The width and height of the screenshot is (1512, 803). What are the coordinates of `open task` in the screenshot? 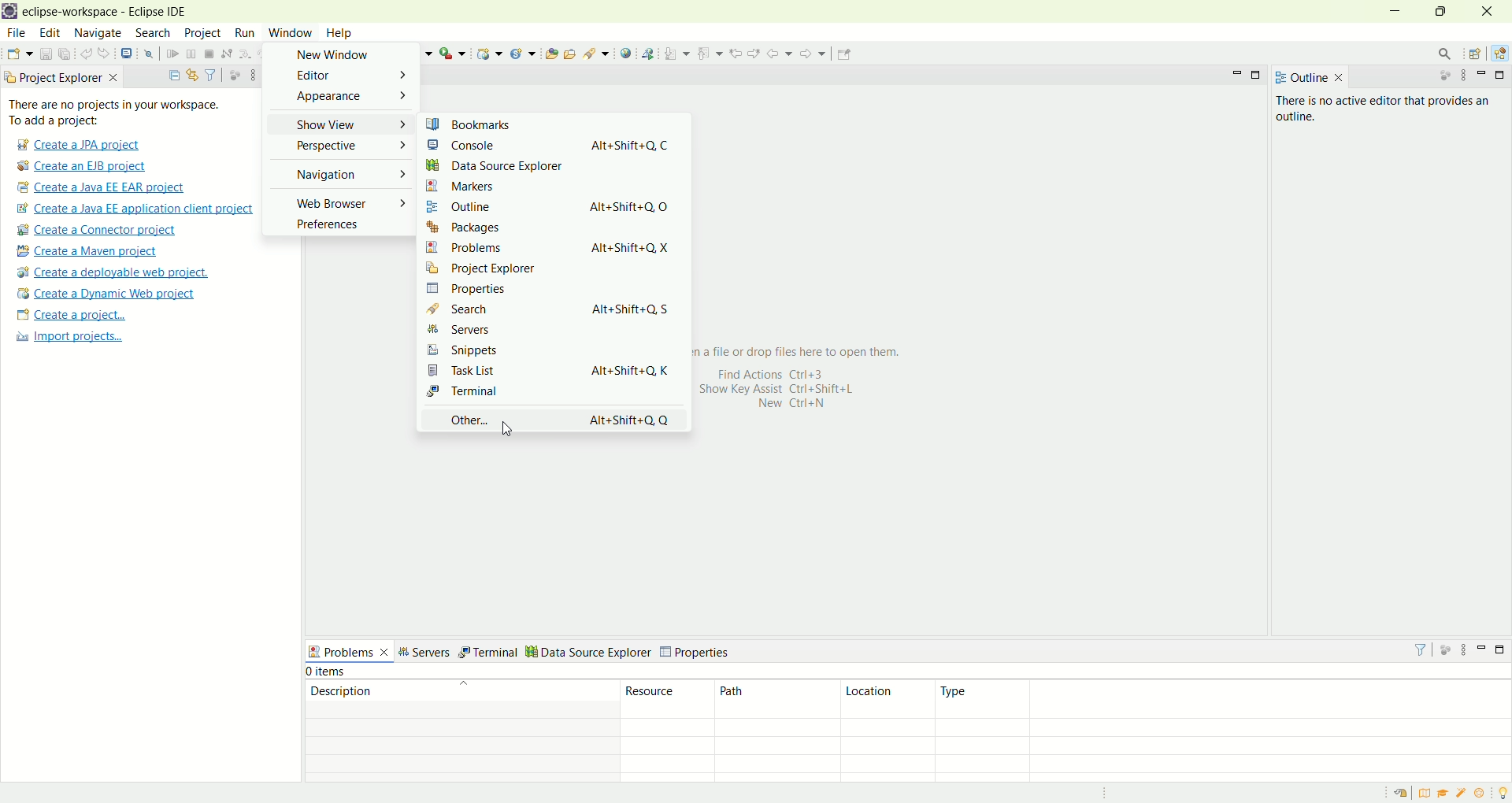 It's located at (570, 54).